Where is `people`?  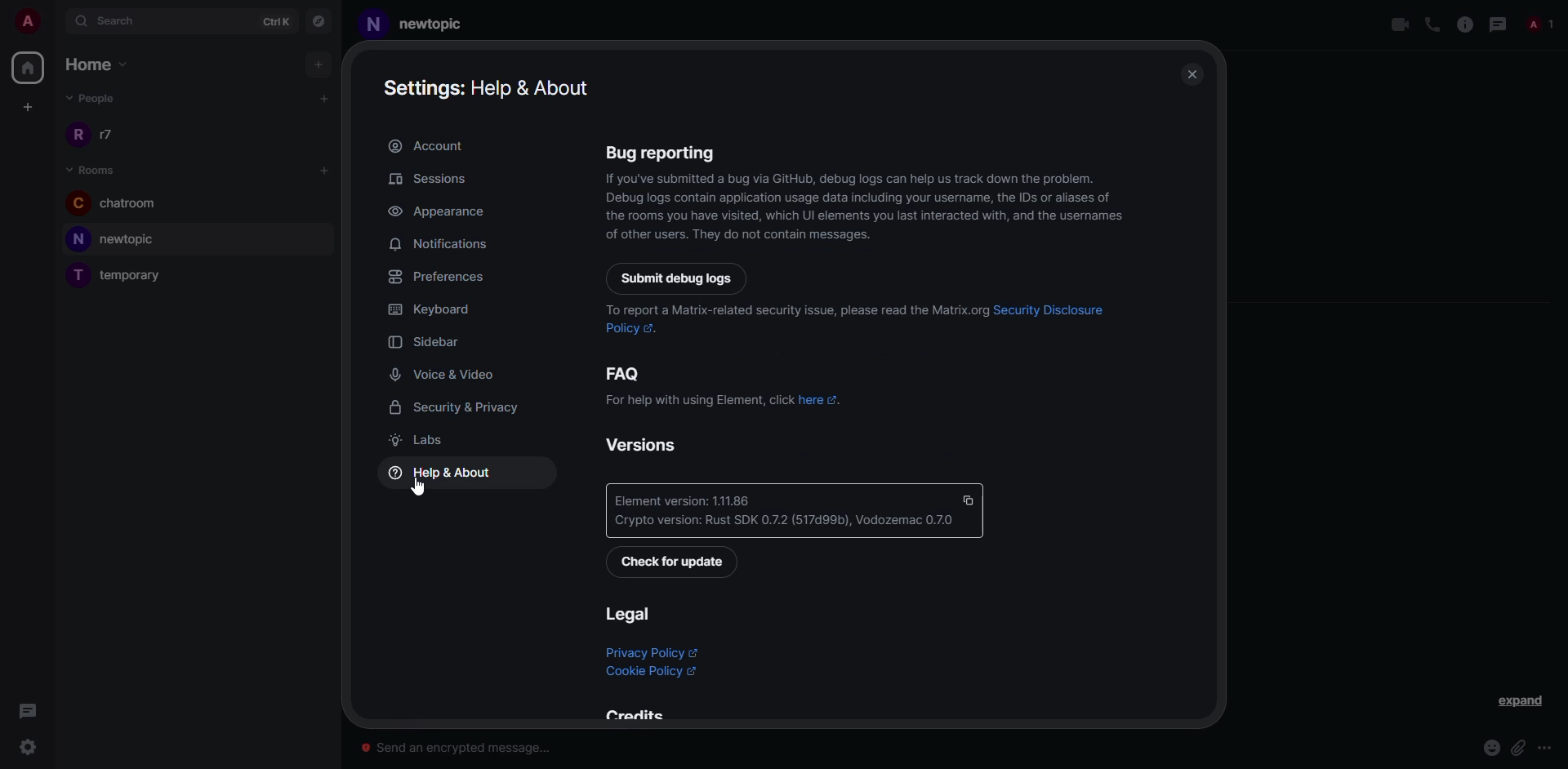 people is located at coordinates (95, 97).